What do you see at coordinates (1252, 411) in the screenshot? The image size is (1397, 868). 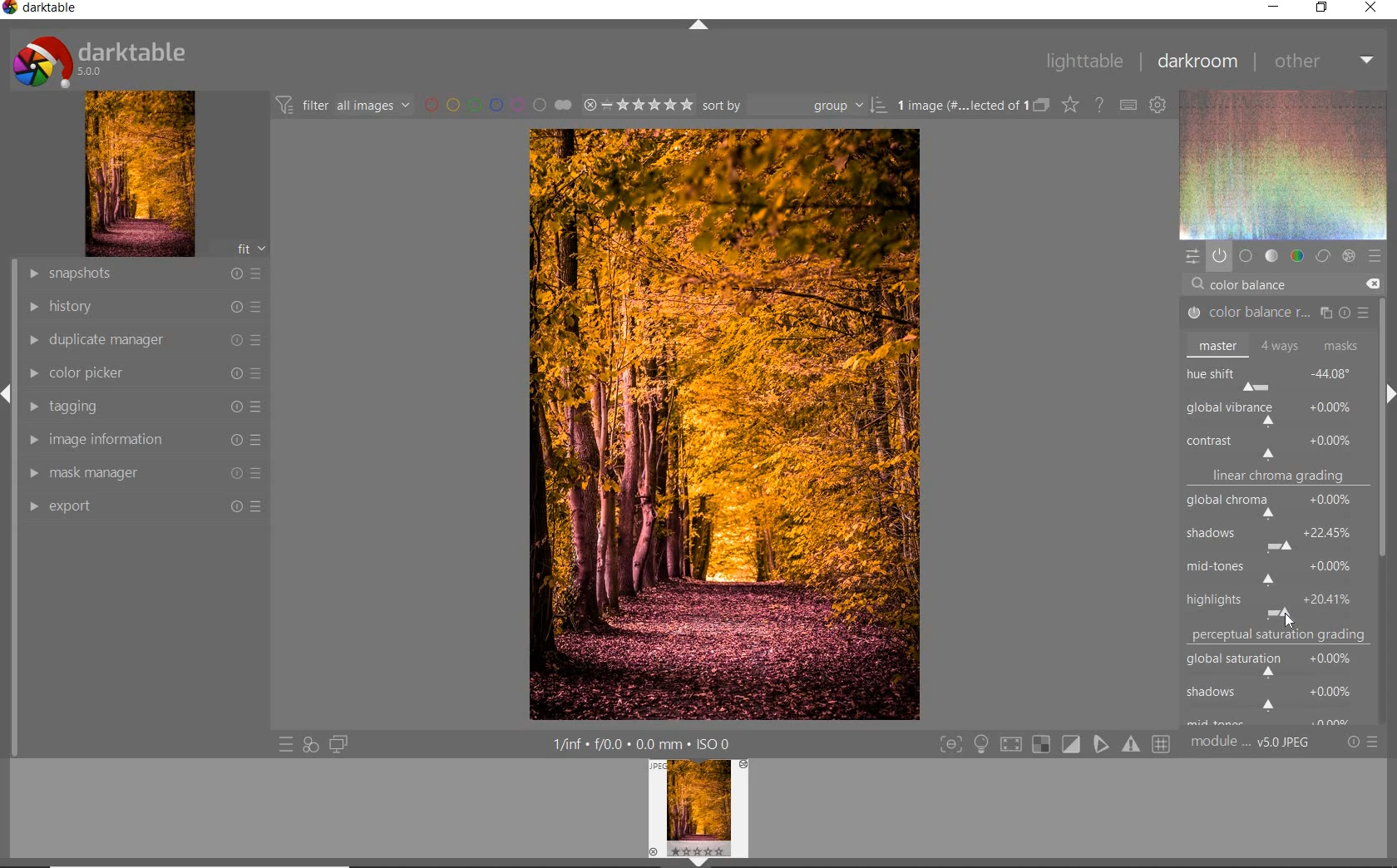 I see `ROTATE ALL HUES BY AN ANGLE AT THE SAME LUMINANCE` at bounding box center [1252, 411].